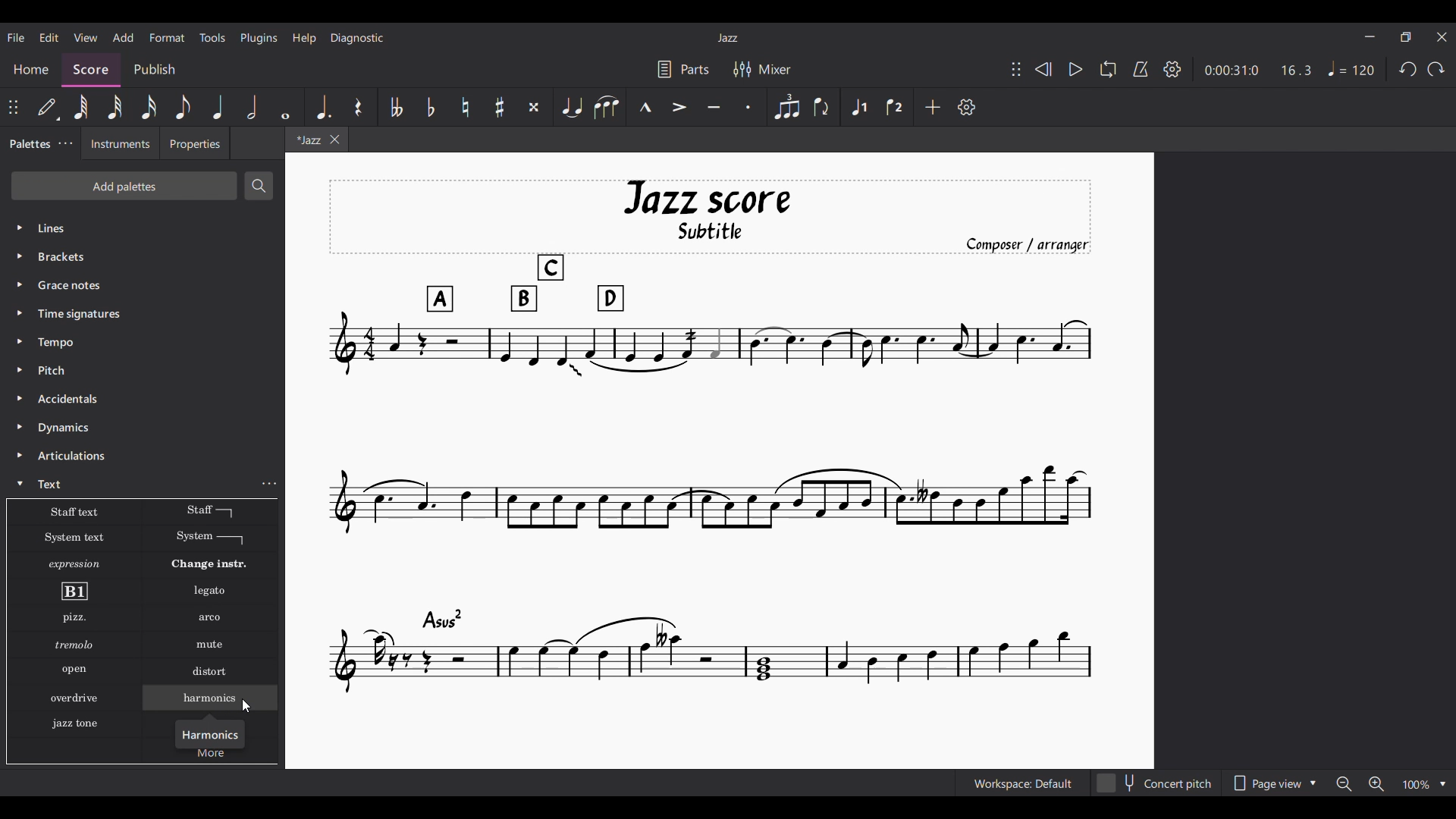  I want to click on Accidents, so click(71, 399).